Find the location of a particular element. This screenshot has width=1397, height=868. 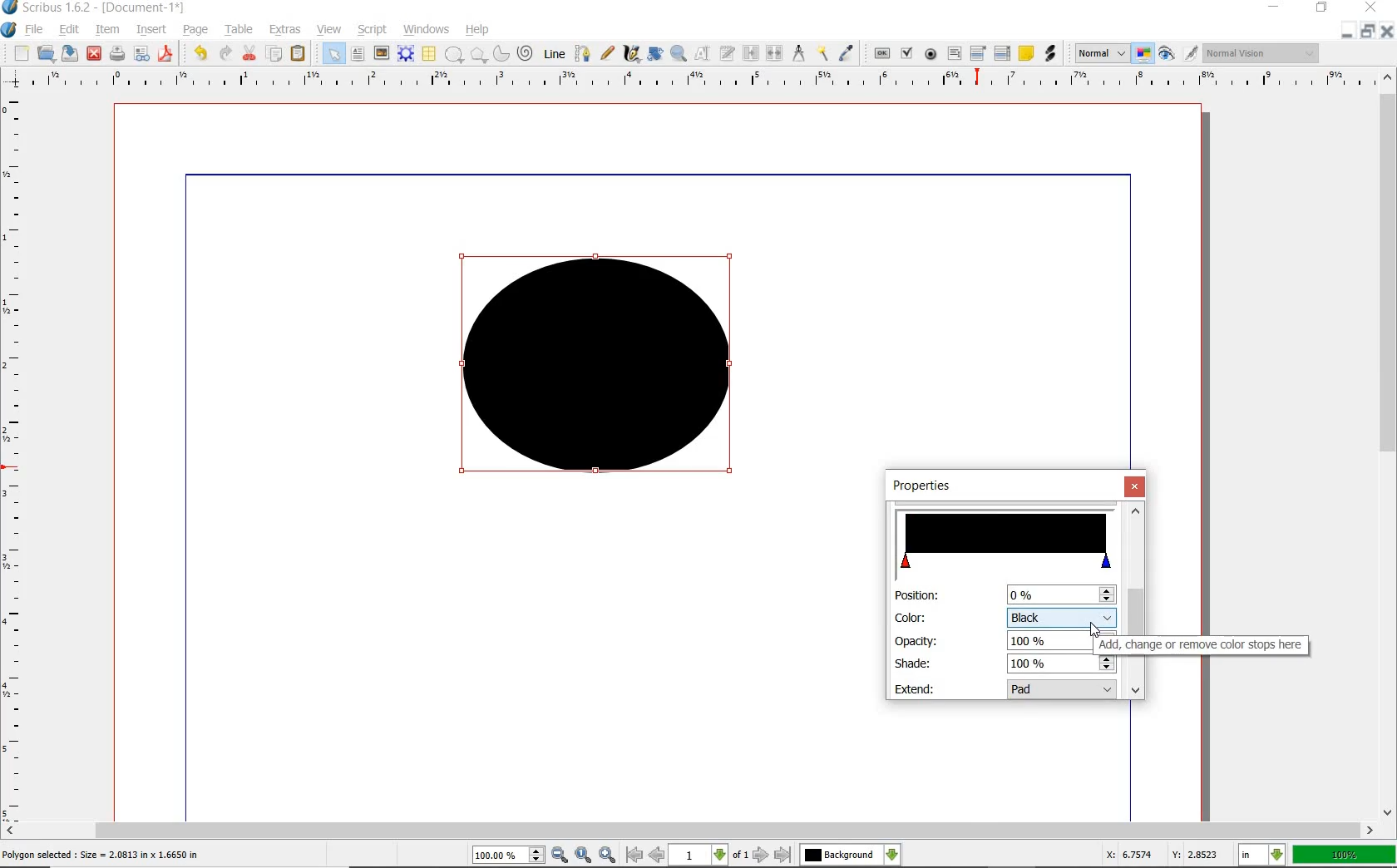

SELECT THE IMAGE PREVIEW QUALITY is located at coordinates (1102, 53).